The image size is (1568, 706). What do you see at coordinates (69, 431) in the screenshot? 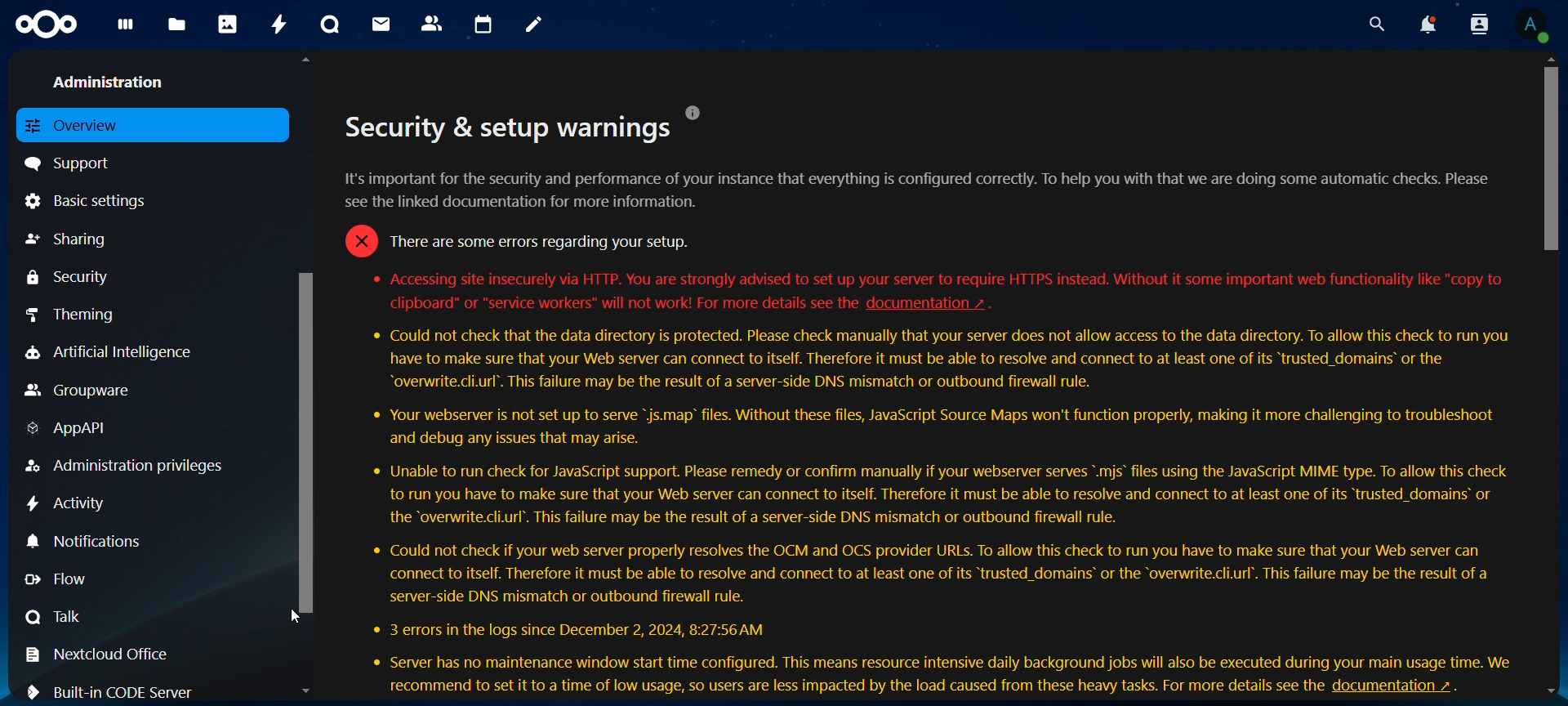
I see `APPAPI` at bounding box center [69, 431].